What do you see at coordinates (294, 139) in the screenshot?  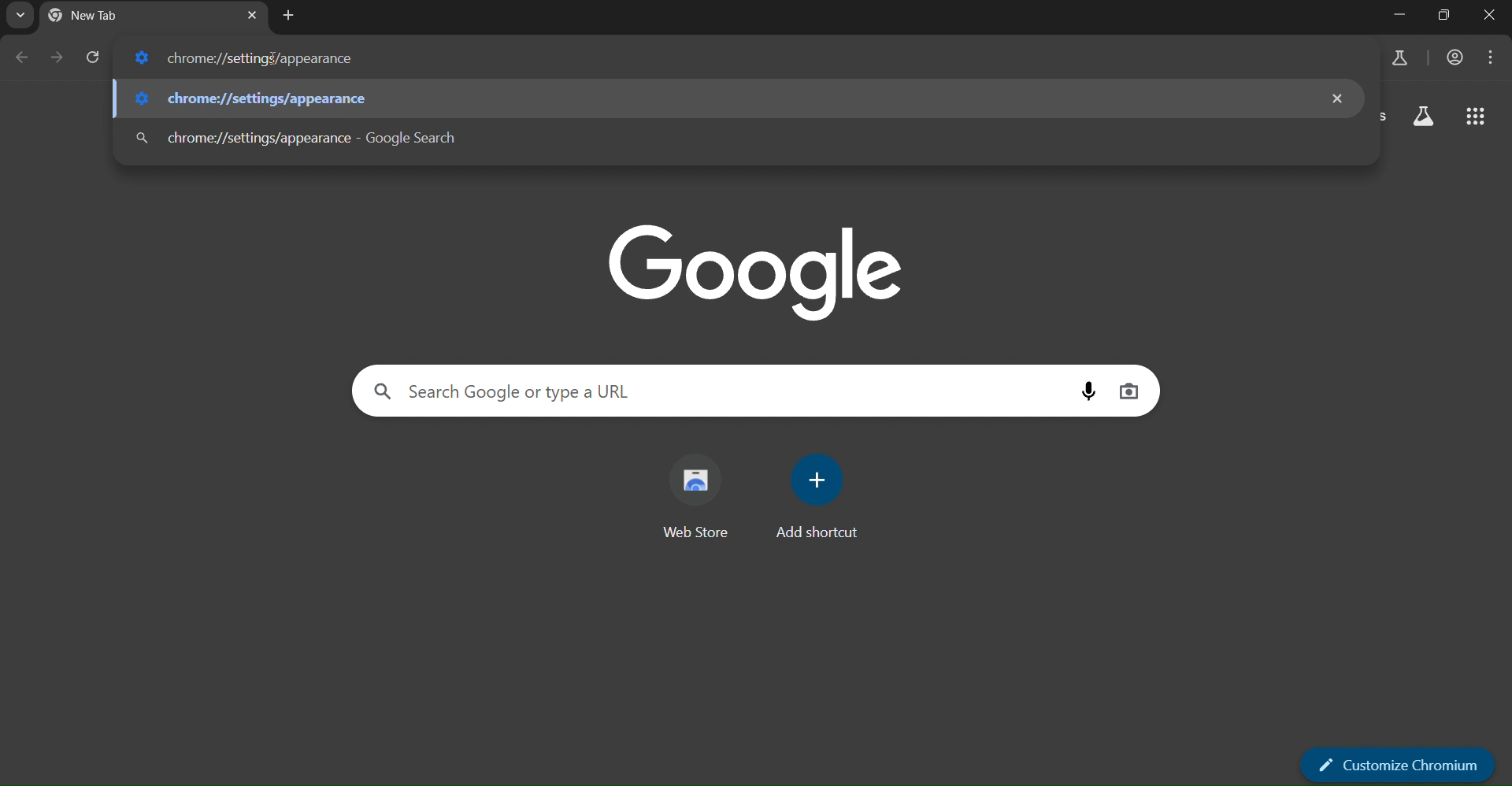 I see `chrome://settings/appearance` at bounding box center [294, 139].